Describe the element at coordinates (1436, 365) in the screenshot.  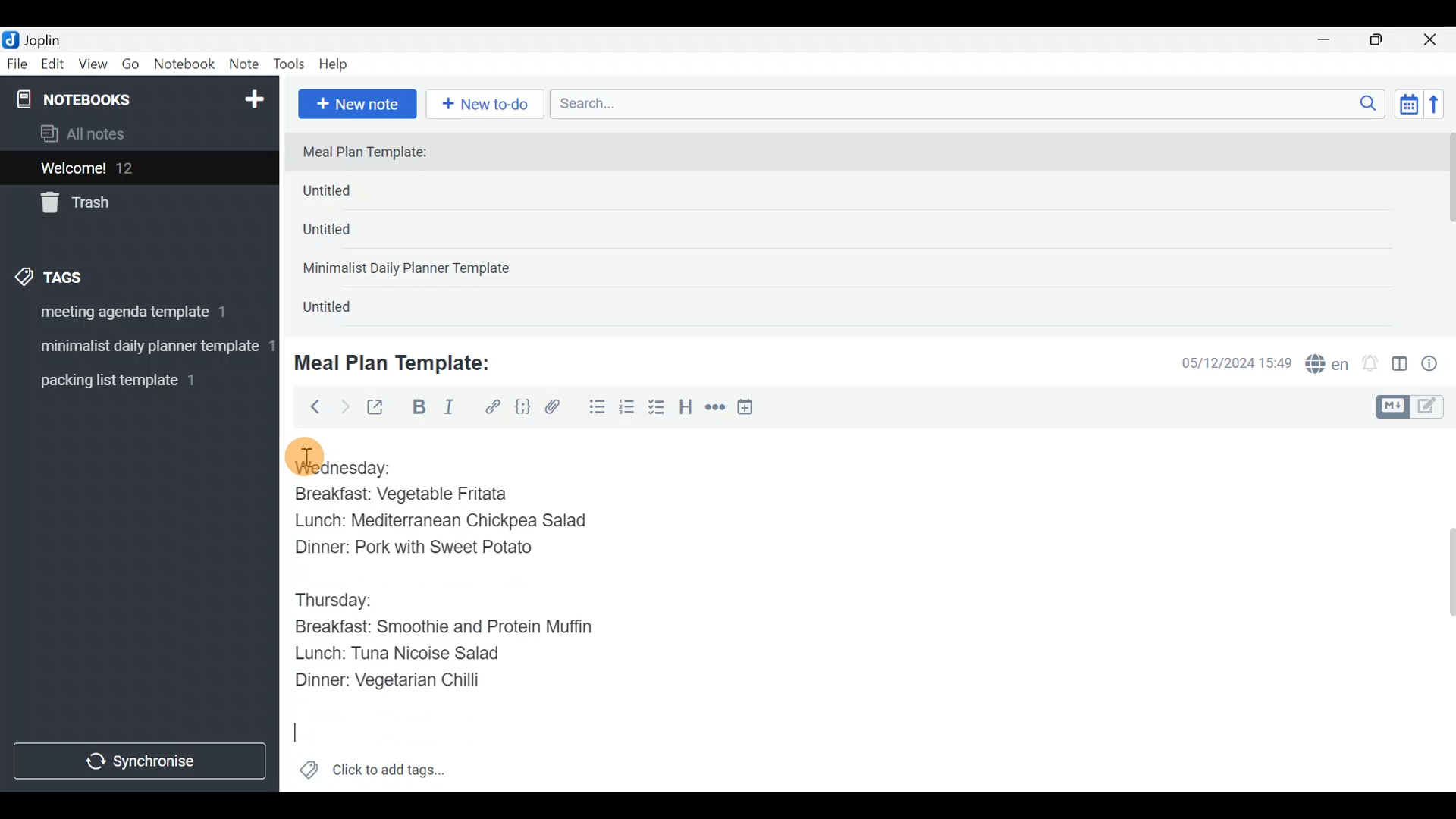
I see `Note properties` at that location.